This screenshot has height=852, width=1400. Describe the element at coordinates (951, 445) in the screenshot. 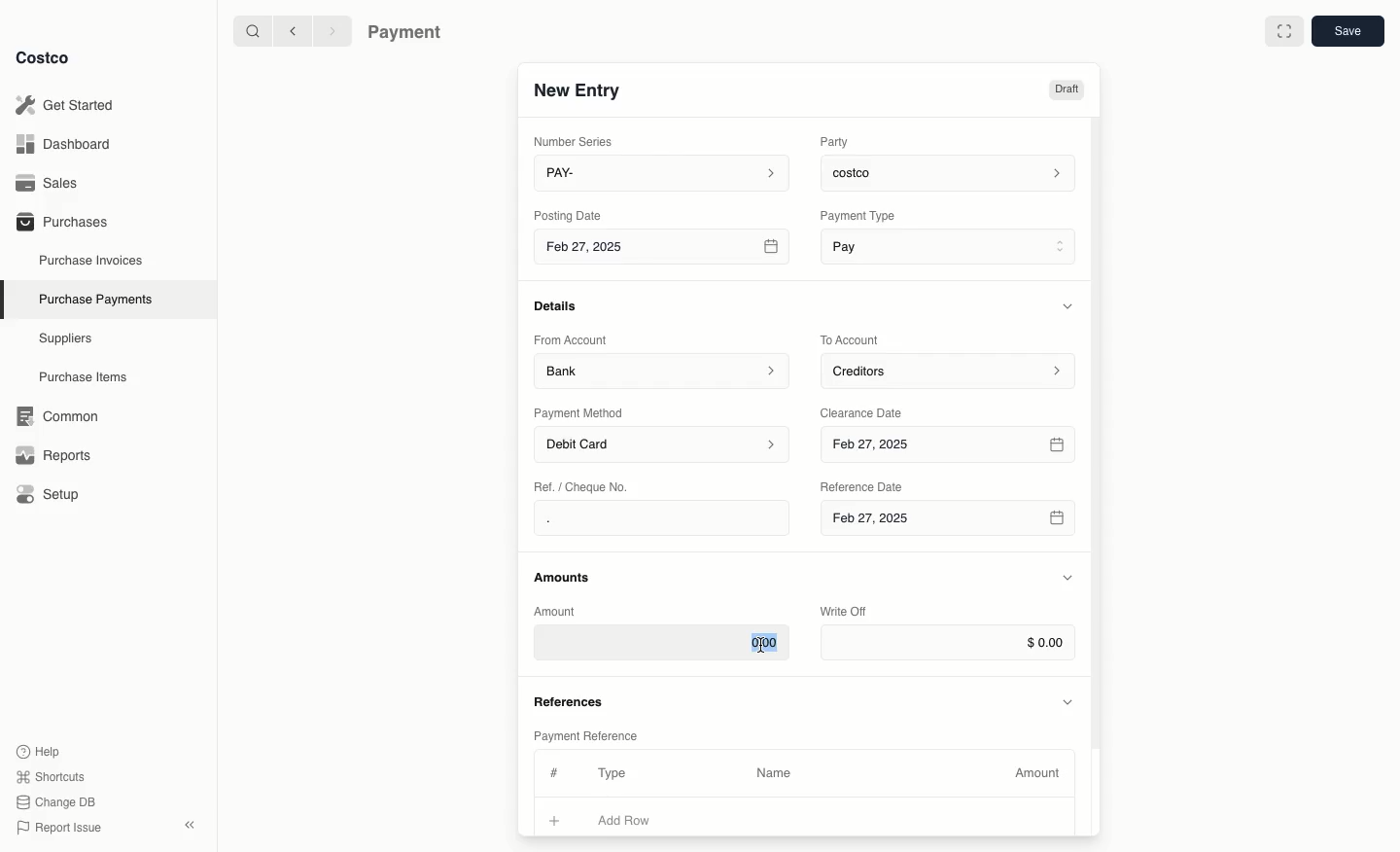

I see `Feb 27, 2025` at that location.